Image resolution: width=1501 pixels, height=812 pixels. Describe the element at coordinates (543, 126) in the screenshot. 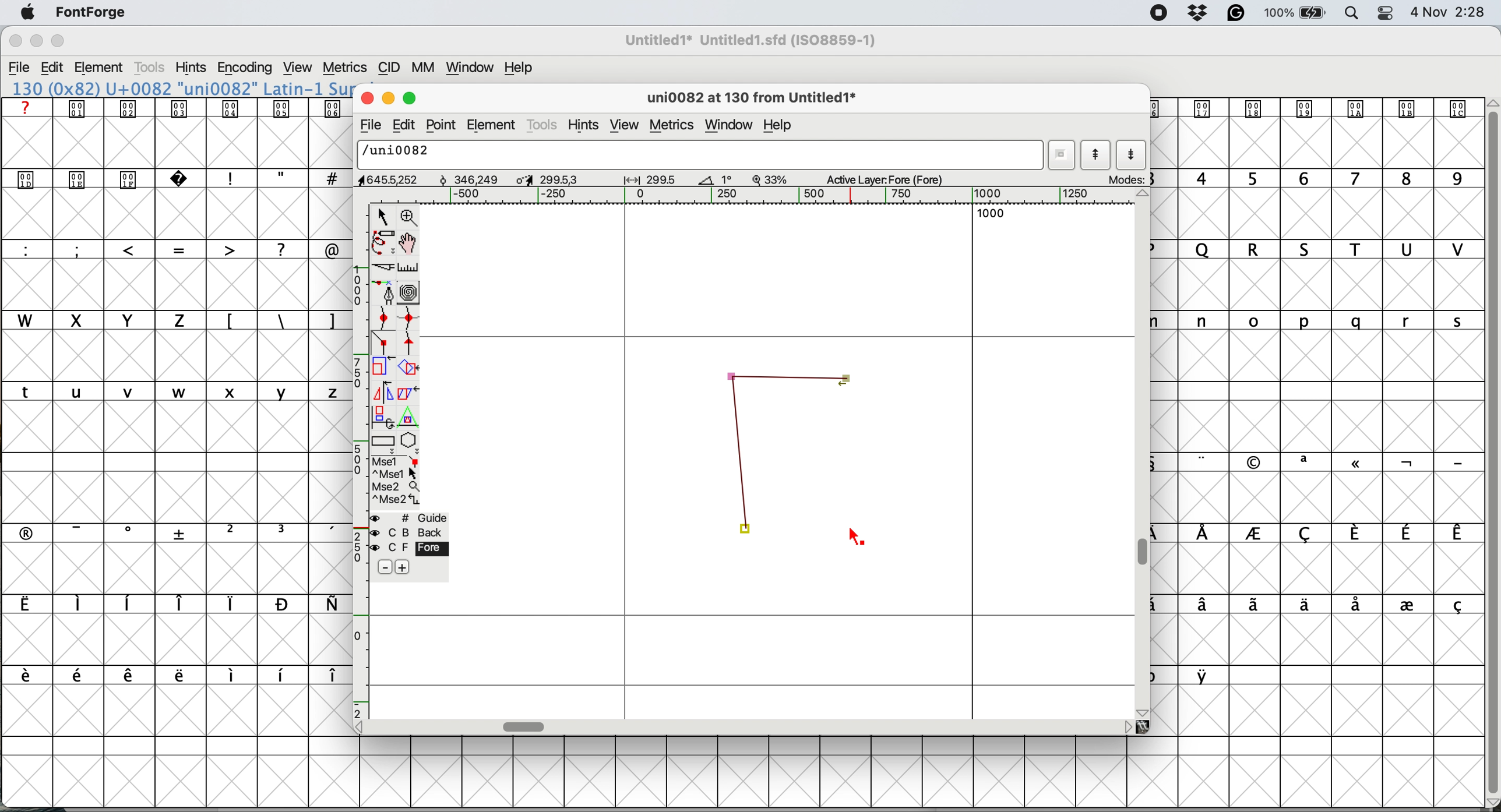

I see `tools` at that location.